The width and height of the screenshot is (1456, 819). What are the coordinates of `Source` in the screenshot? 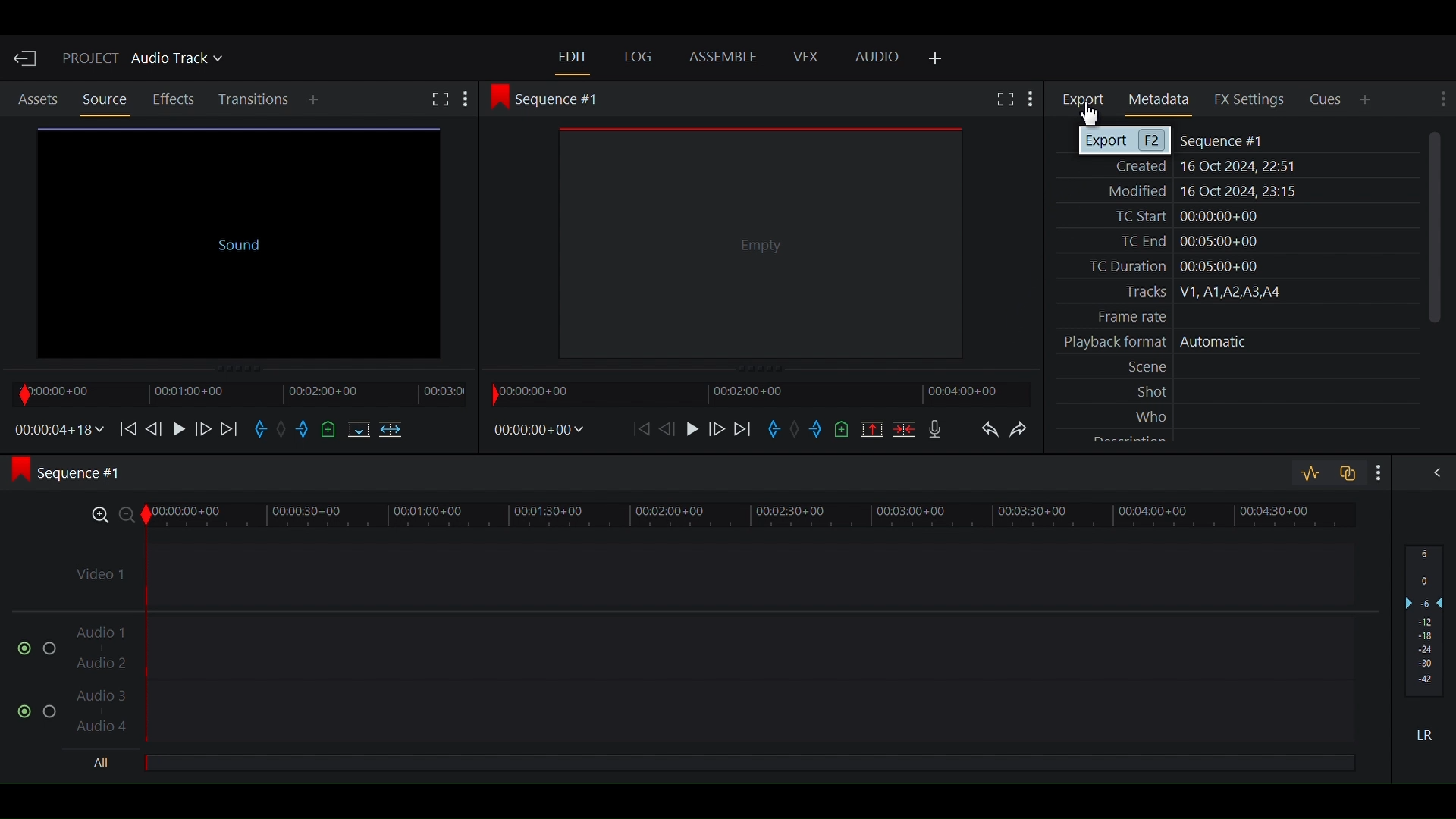 It's located at (104, 99).